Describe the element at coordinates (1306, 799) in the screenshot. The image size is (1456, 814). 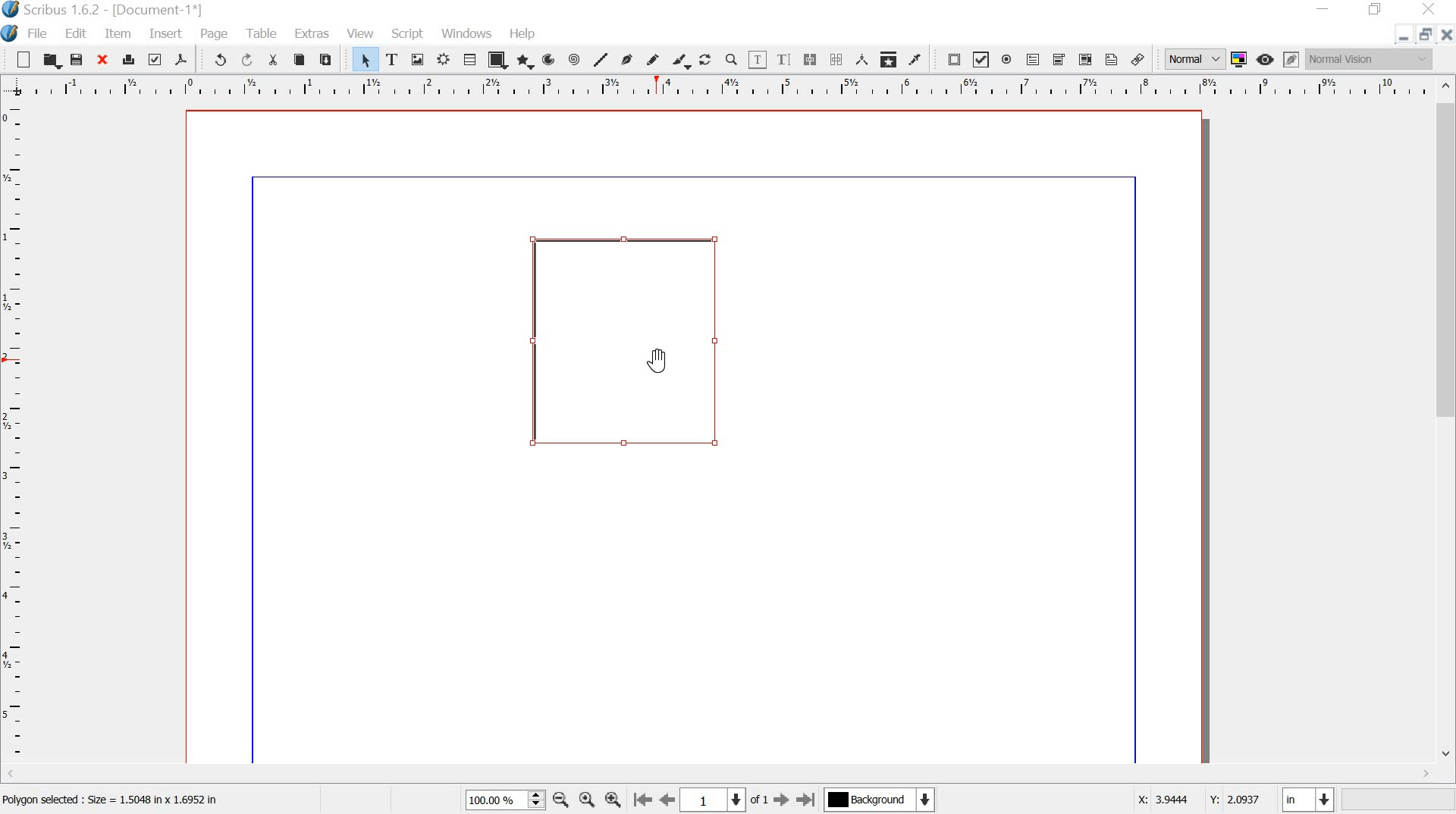
I see `in` at that location.